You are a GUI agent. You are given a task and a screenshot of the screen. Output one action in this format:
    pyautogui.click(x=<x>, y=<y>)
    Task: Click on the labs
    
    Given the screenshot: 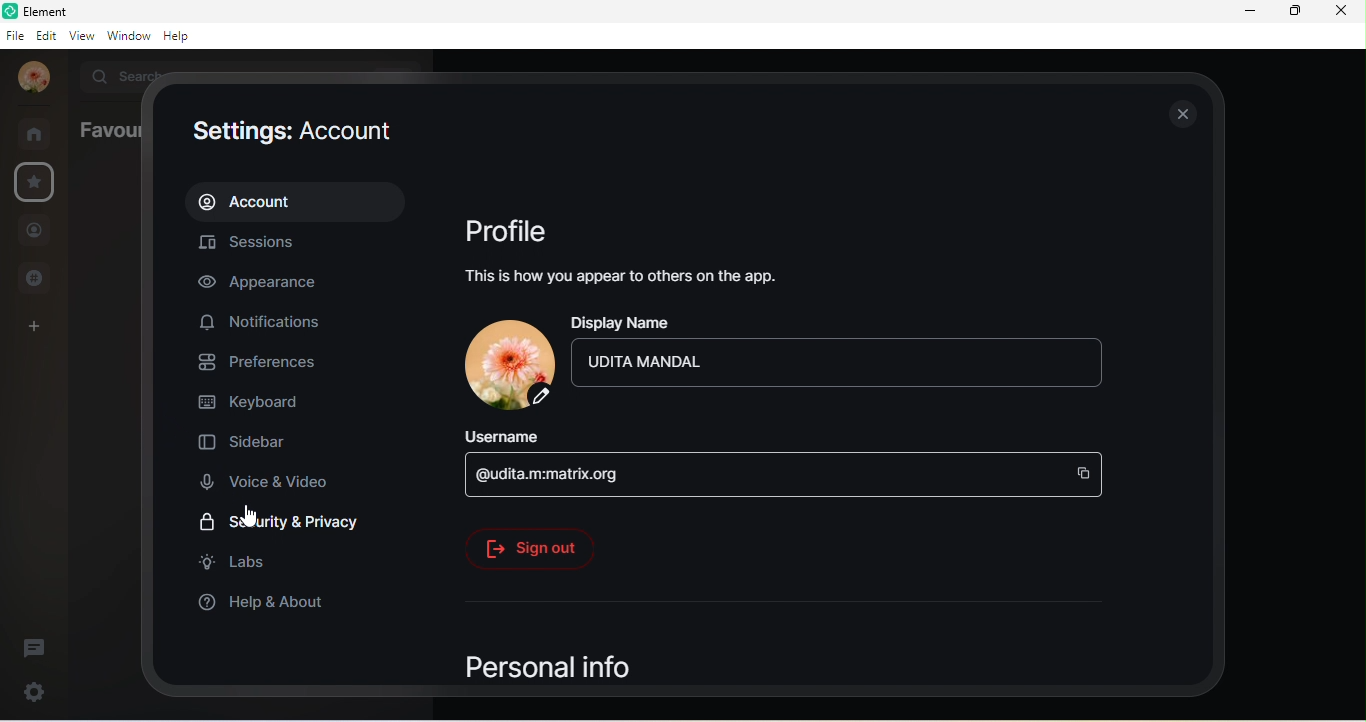 What is the action you would take?
    pyautogui.click(x=237, y=562)
    